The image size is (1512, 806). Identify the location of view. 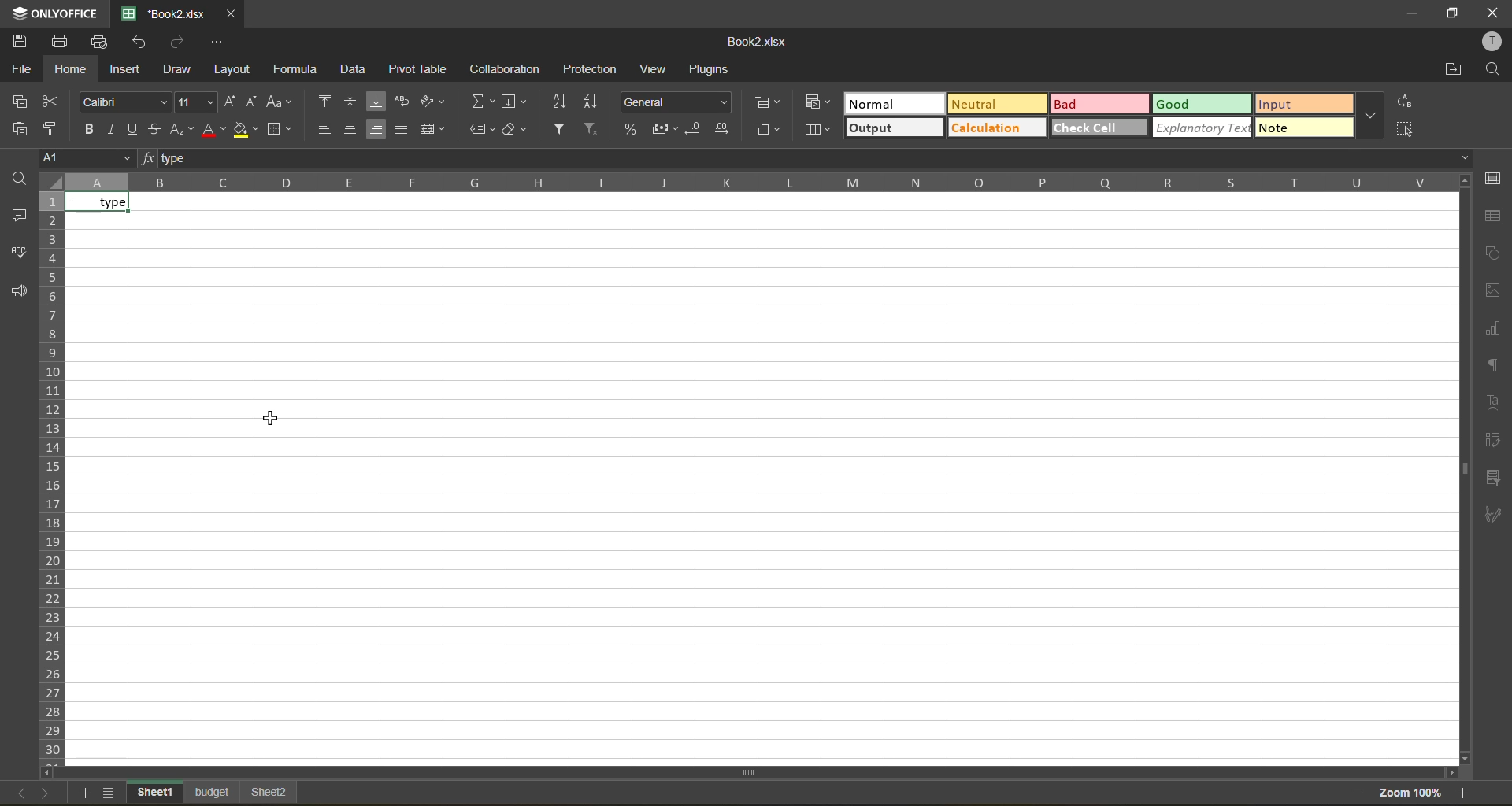
(656, 70).